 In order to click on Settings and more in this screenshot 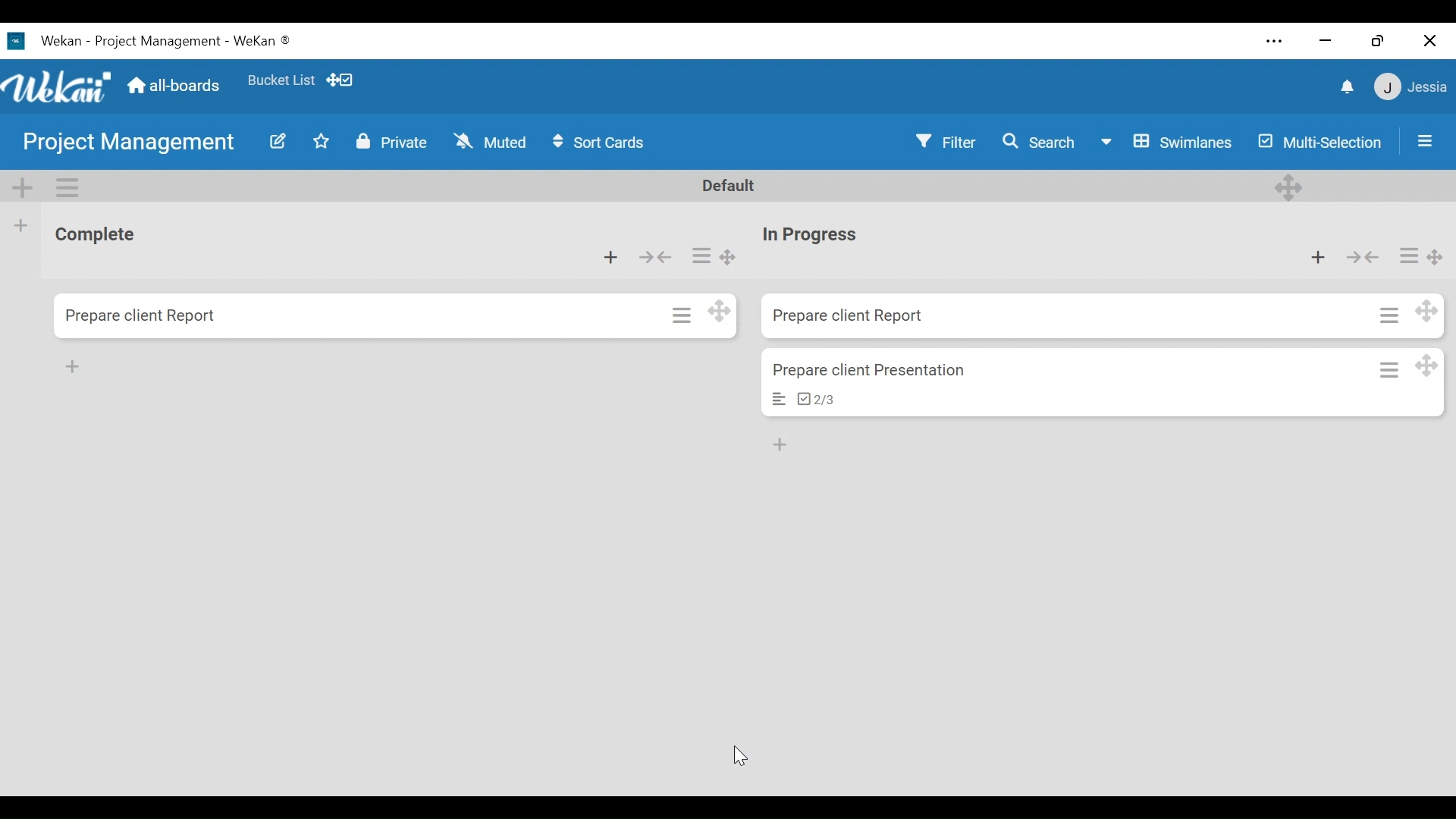, I will do `click(1275, 42)`.